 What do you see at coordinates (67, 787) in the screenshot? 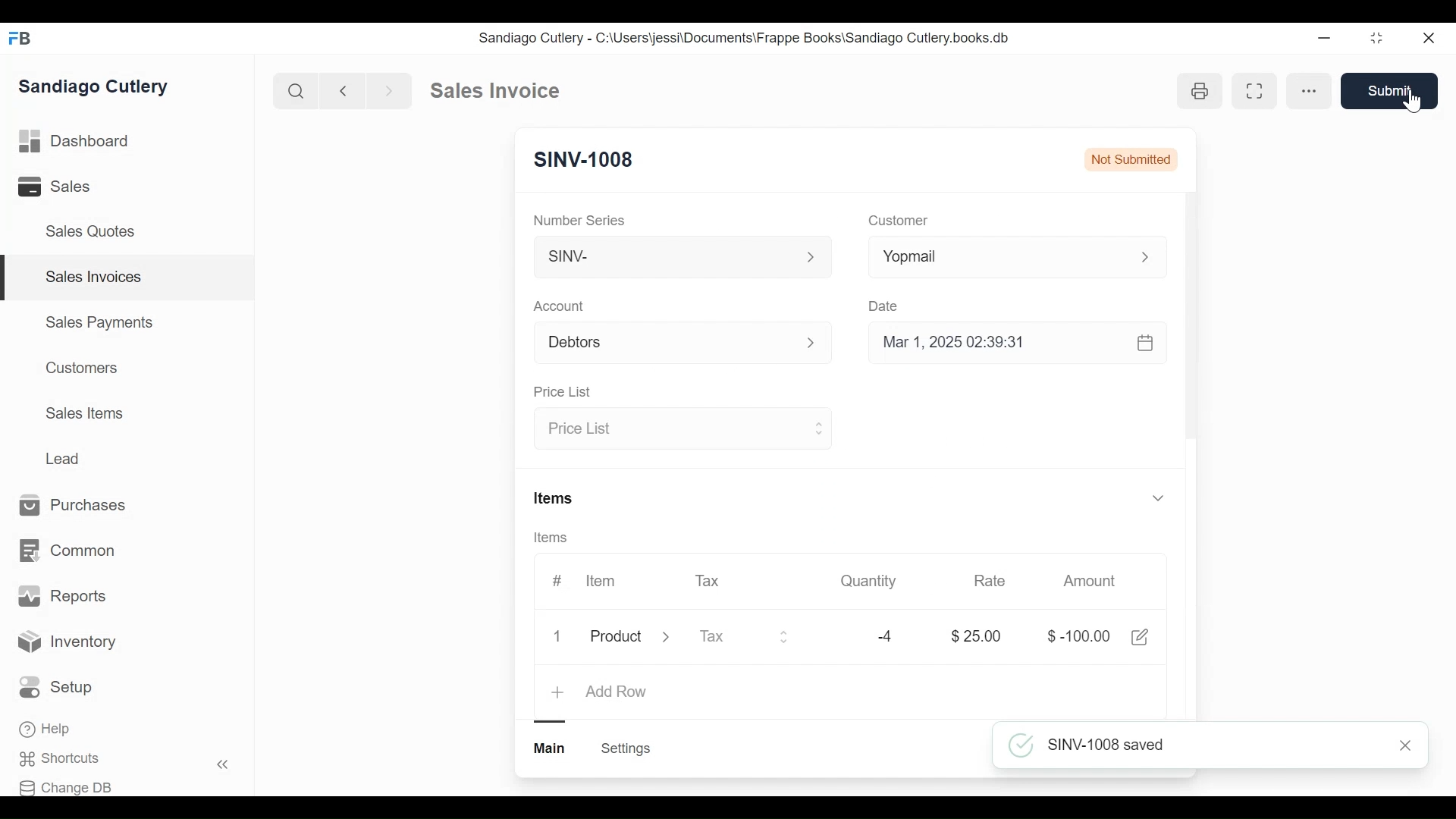
I see ` Change DB` at bounding box center [67, 787].